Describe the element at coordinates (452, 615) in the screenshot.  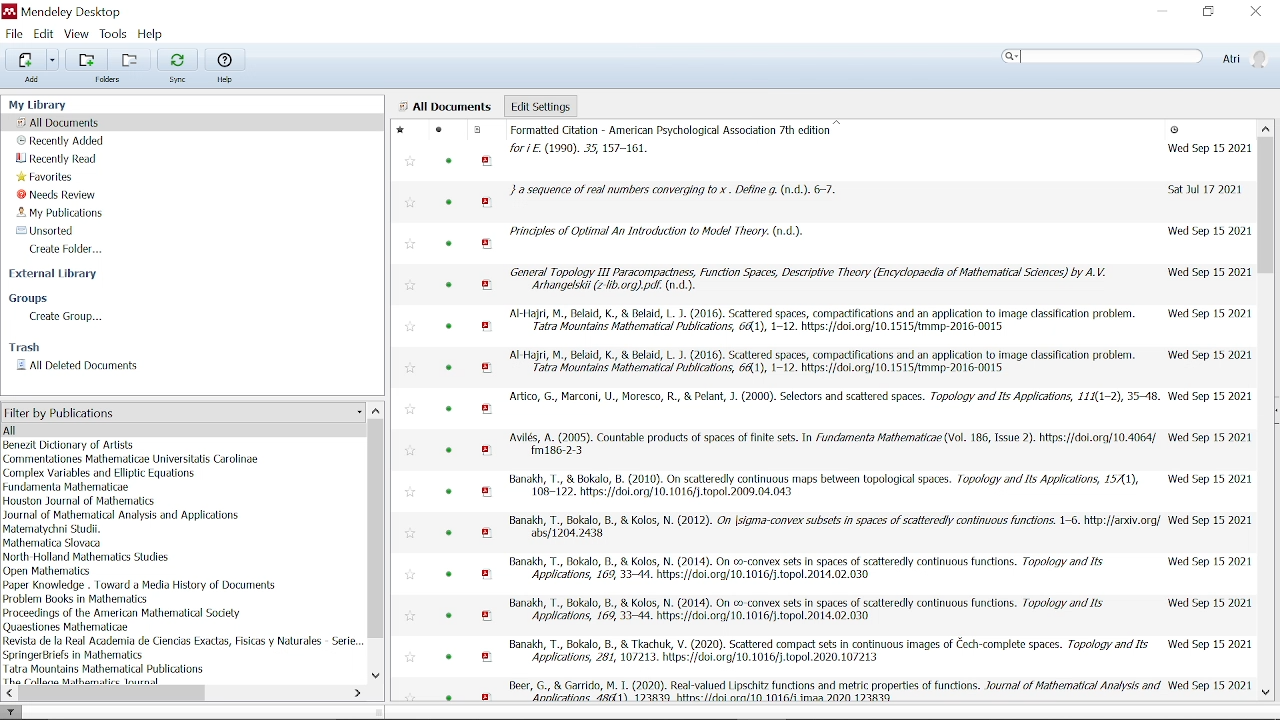
I see `status` at that location.